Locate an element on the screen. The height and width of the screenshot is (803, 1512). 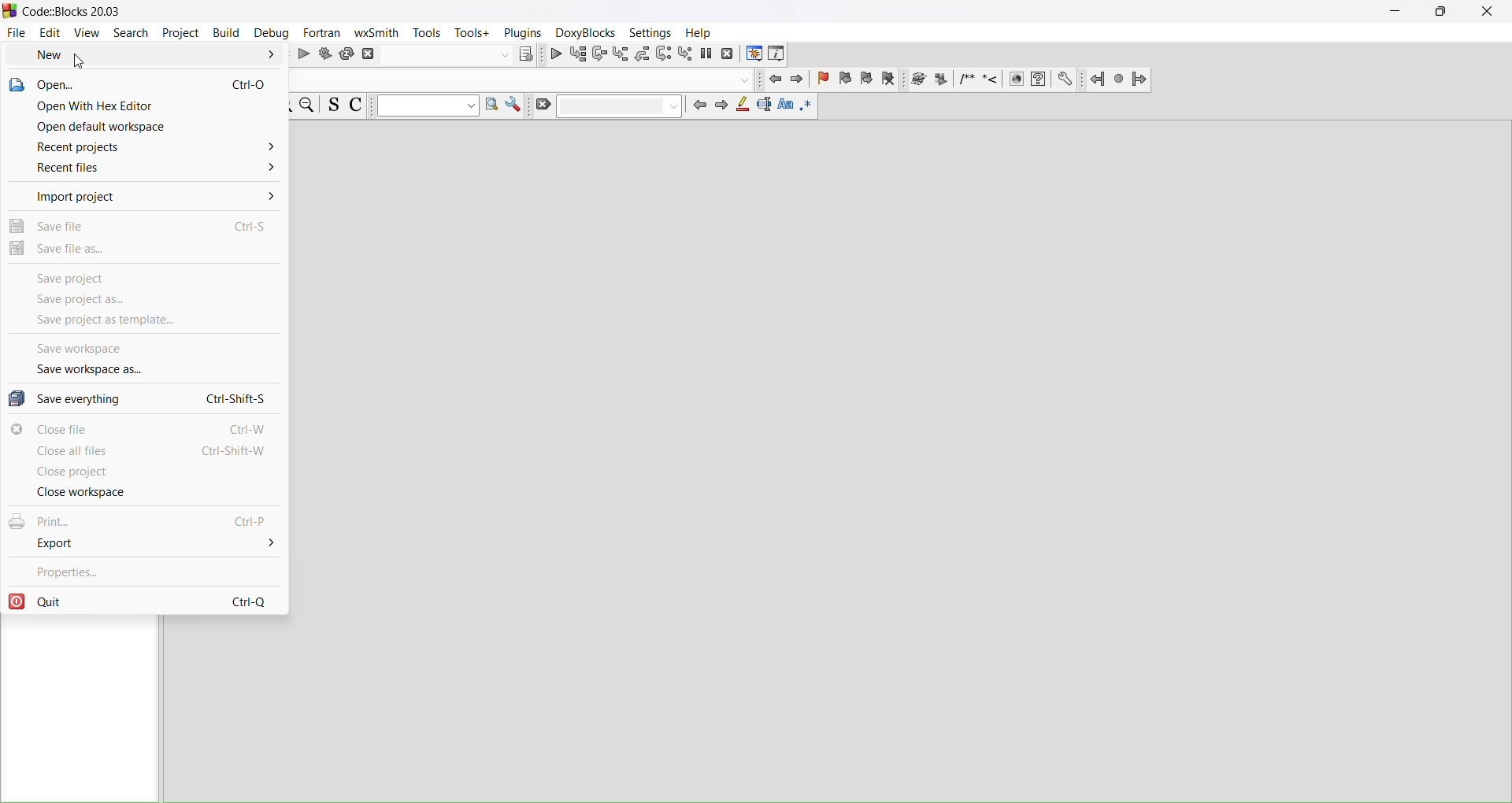
close project is located at coordinates (146, 472).